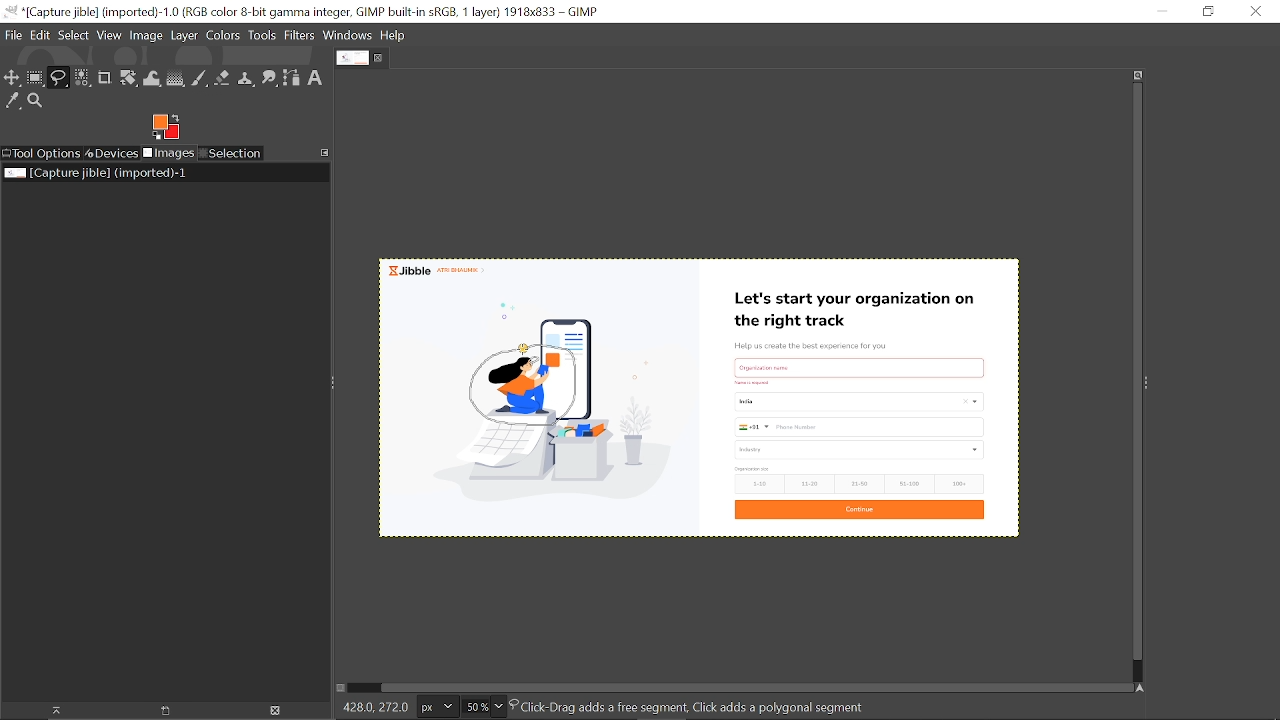  I want to click on Selection, so click(230, 154).